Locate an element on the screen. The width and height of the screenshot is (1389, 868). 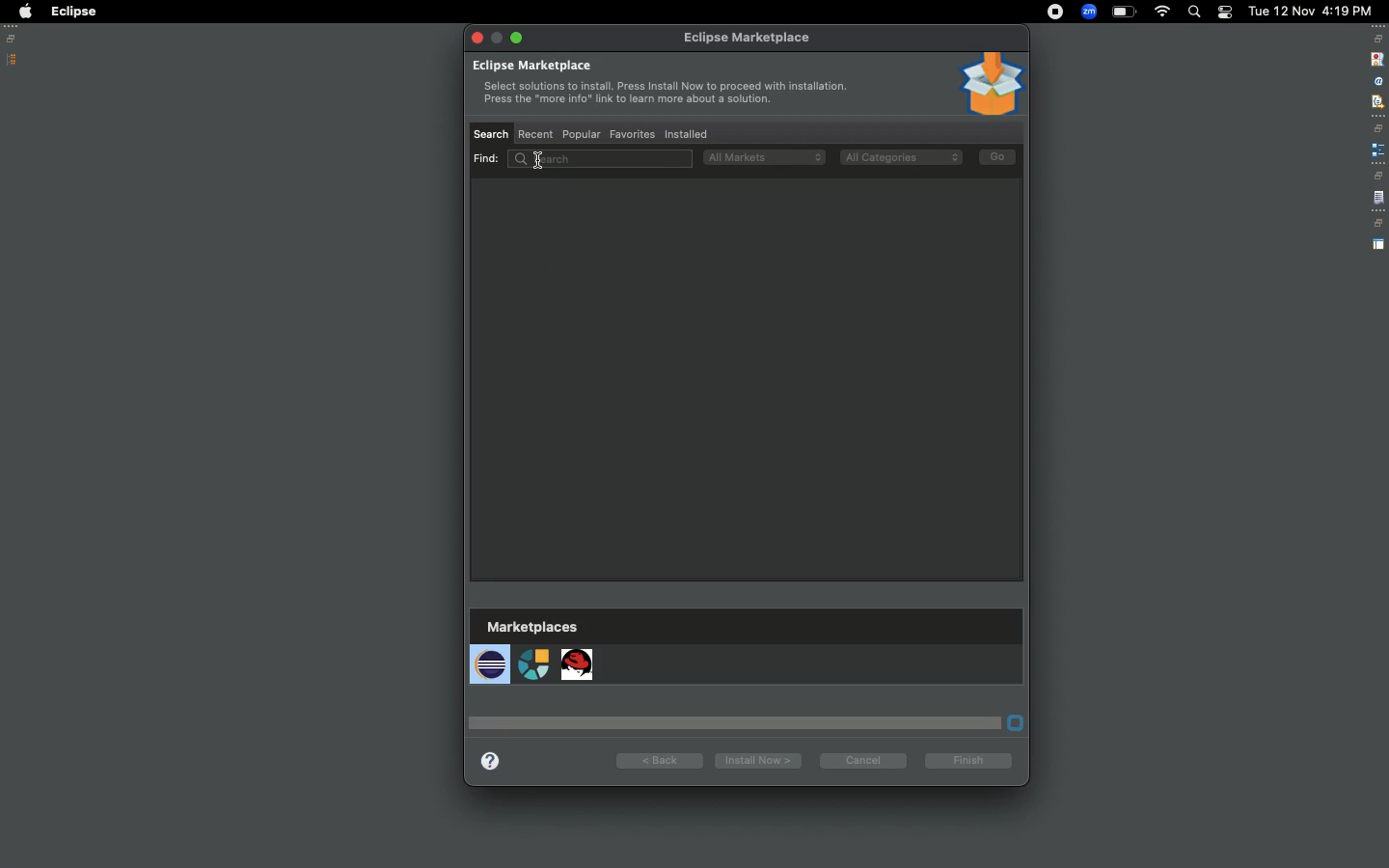
restore is located at coordinates (1378, 39).